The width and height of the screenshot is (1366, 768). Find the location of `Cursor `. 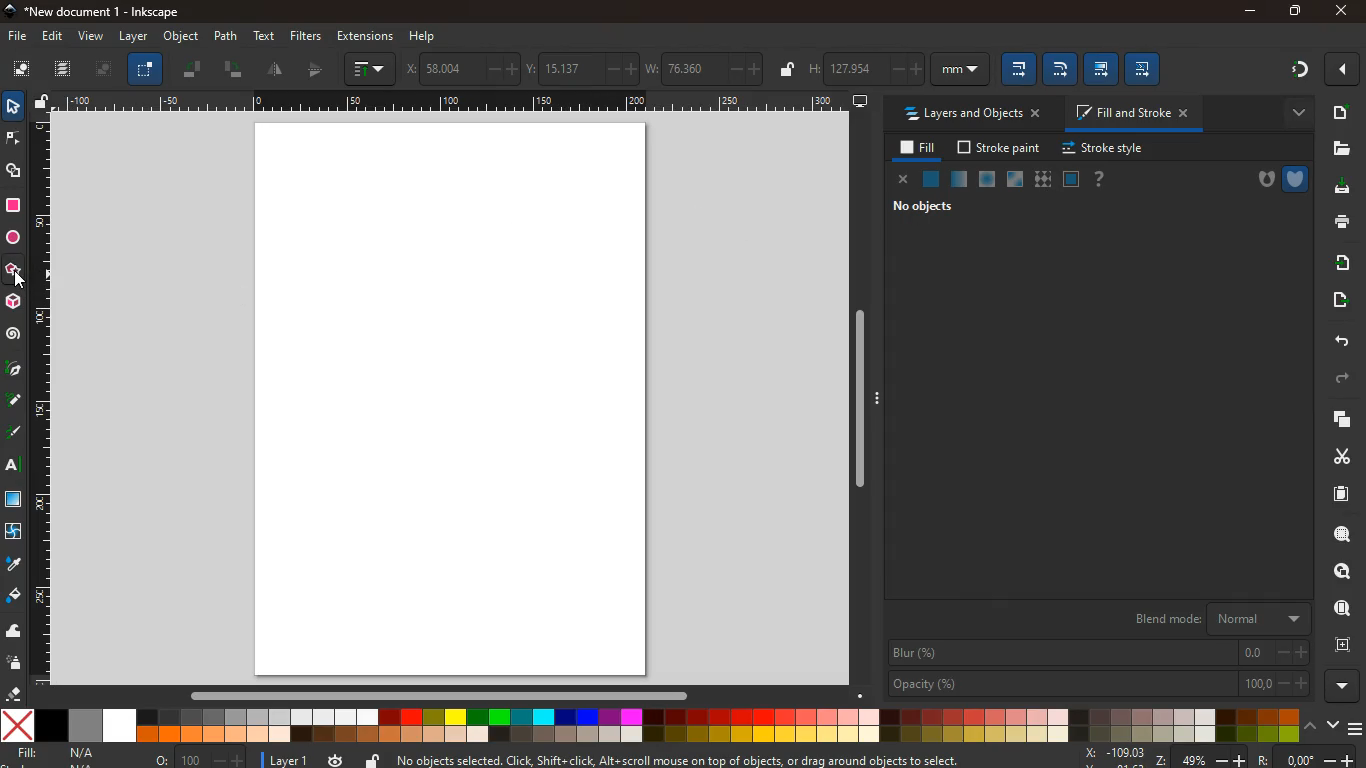

Cursor  is located at coordinates (22, 280).